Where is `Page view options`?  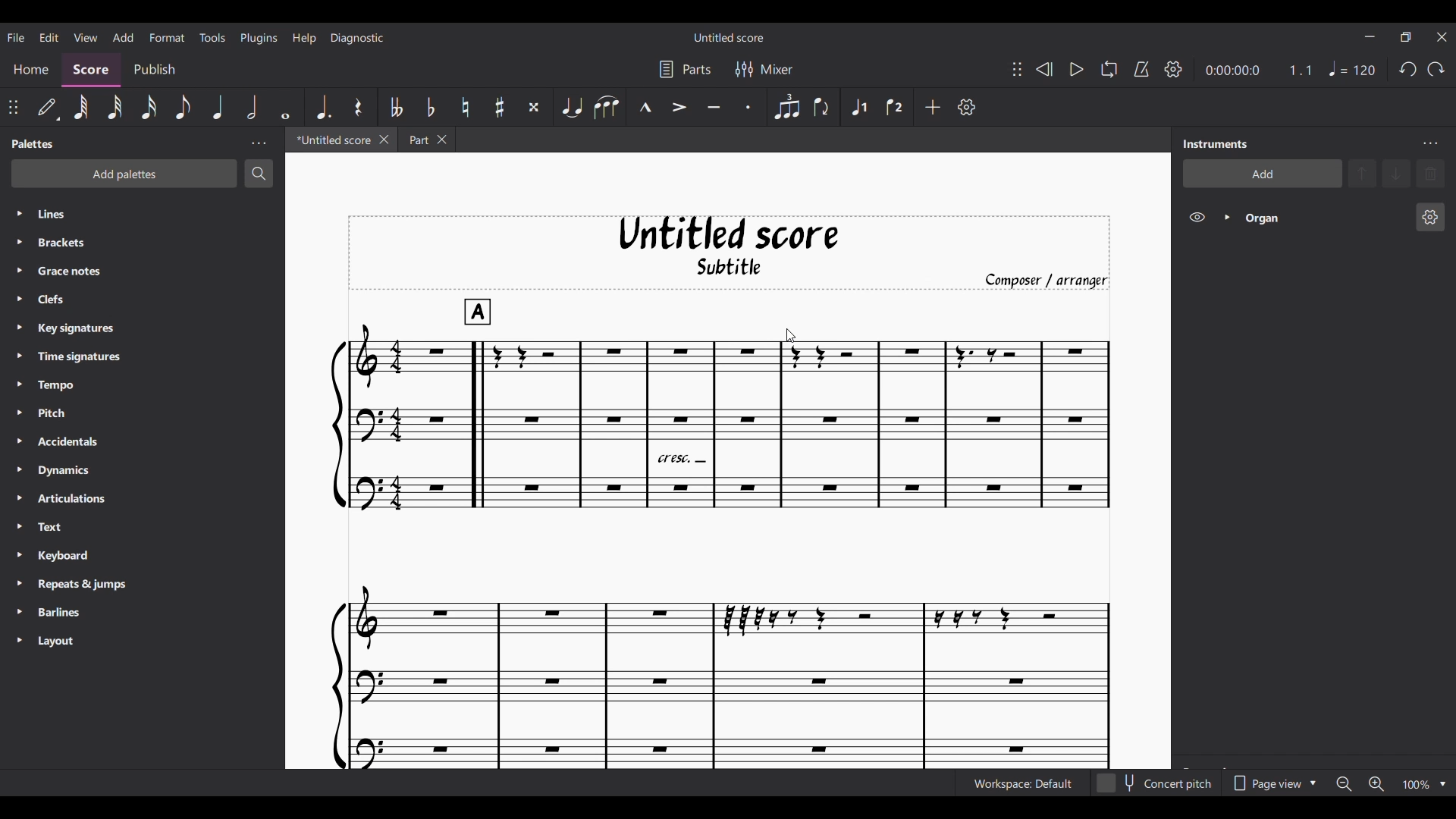 Page view options is located at coordinates (1272, 783).